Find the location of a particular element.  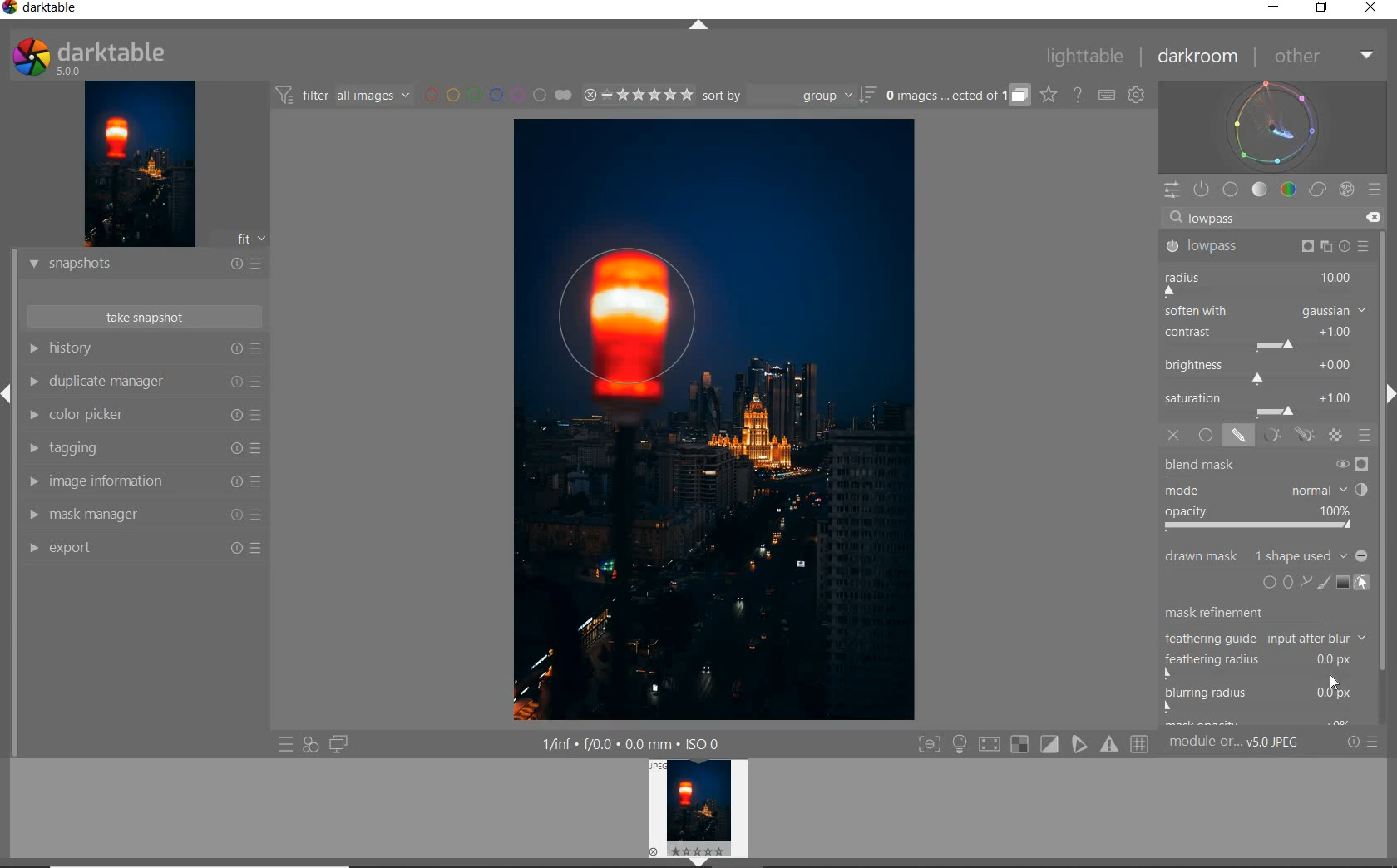

TAKE SNAPSHOT is located at coordinates (143, 318).